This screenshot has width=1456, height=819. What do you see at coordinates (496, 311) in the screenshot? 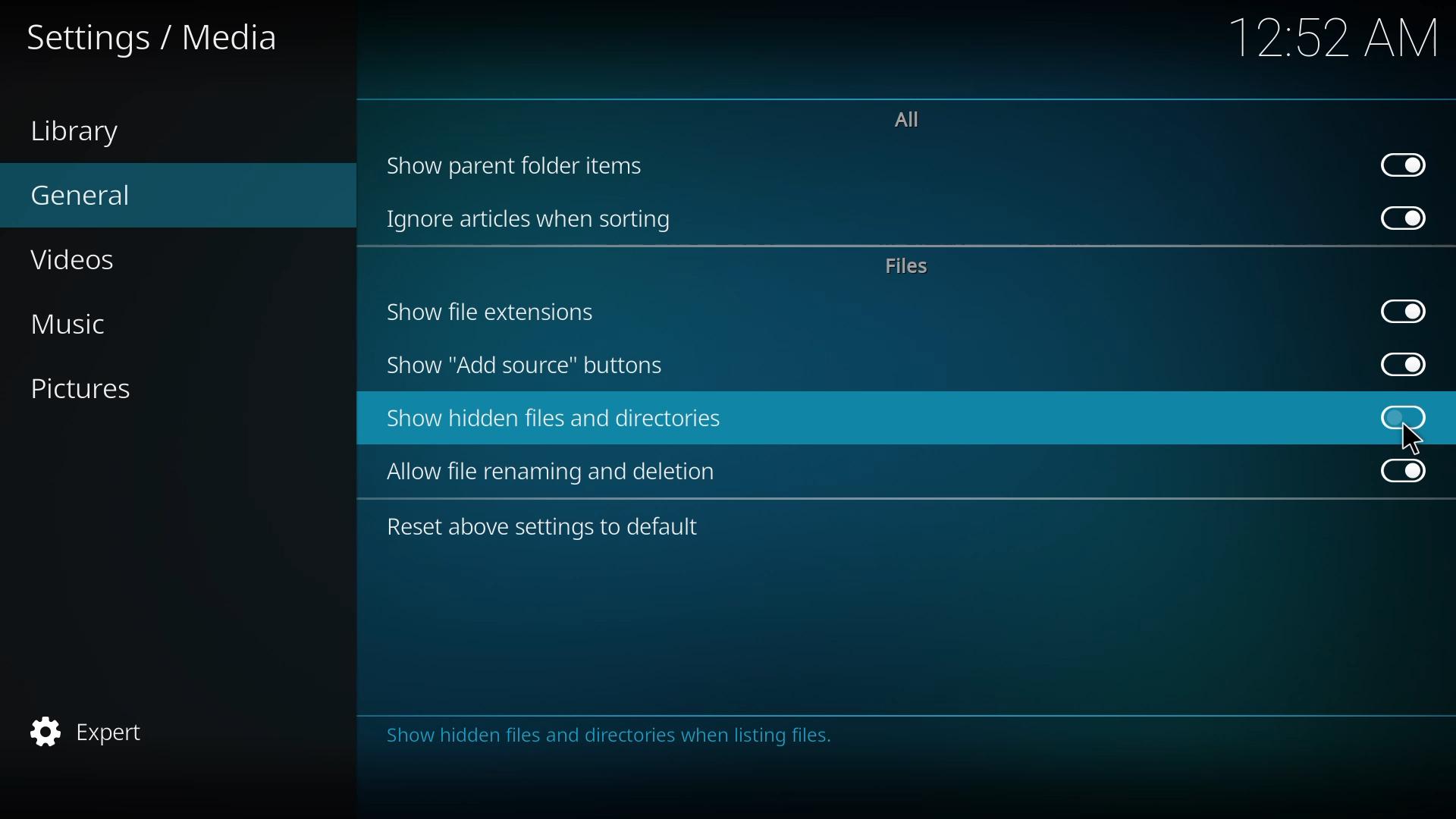
I see `show file extensions` at bounding box center [496, 311].